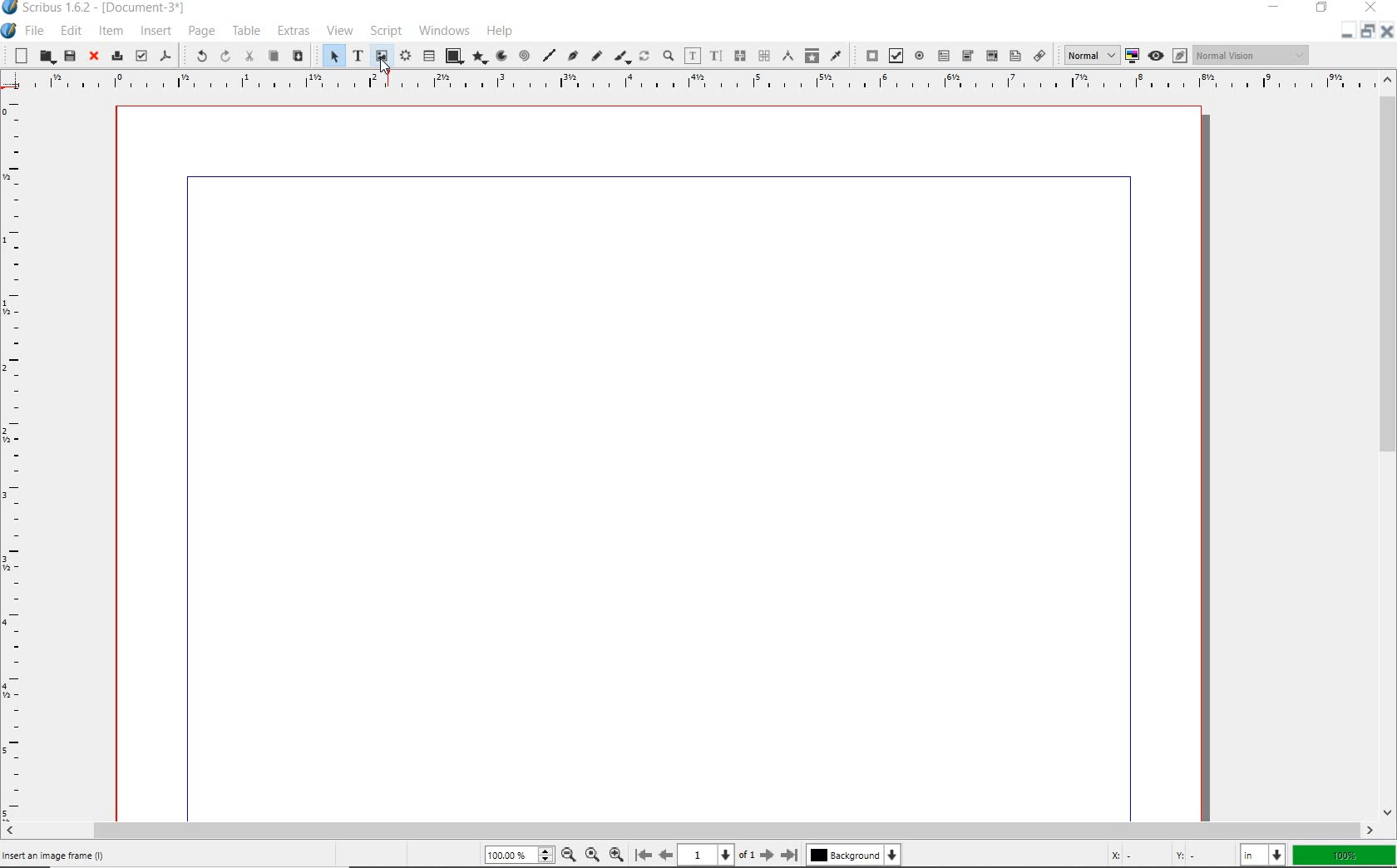 The width and height of the screenshot is (1397, 868). What do you see at coordinates (766, 856) in the screenshot?
I see `next` at bounding box center [766, 856].